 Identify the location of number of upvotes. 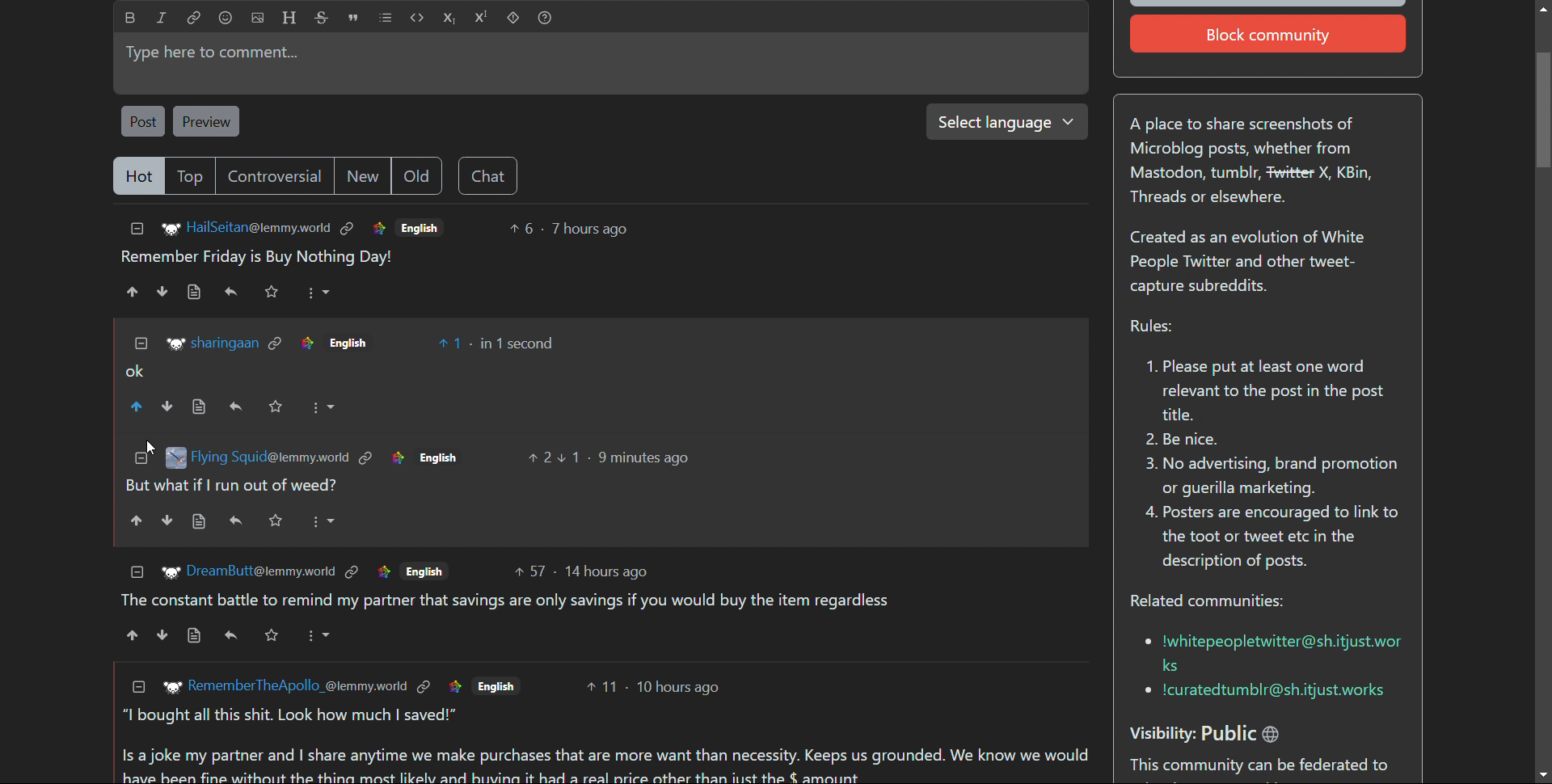
(453, 344).